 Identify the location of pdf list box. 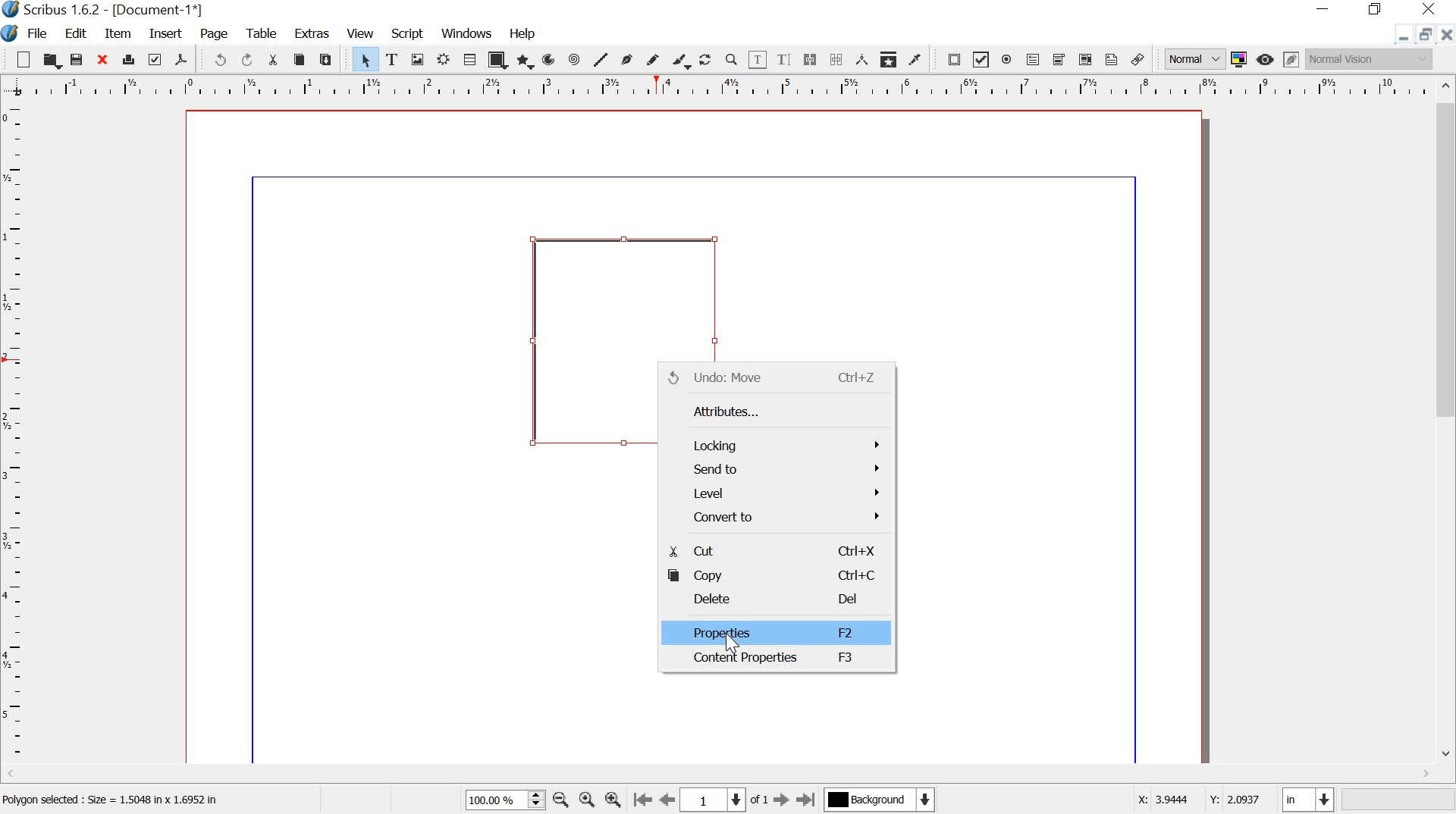
(1084, 60).